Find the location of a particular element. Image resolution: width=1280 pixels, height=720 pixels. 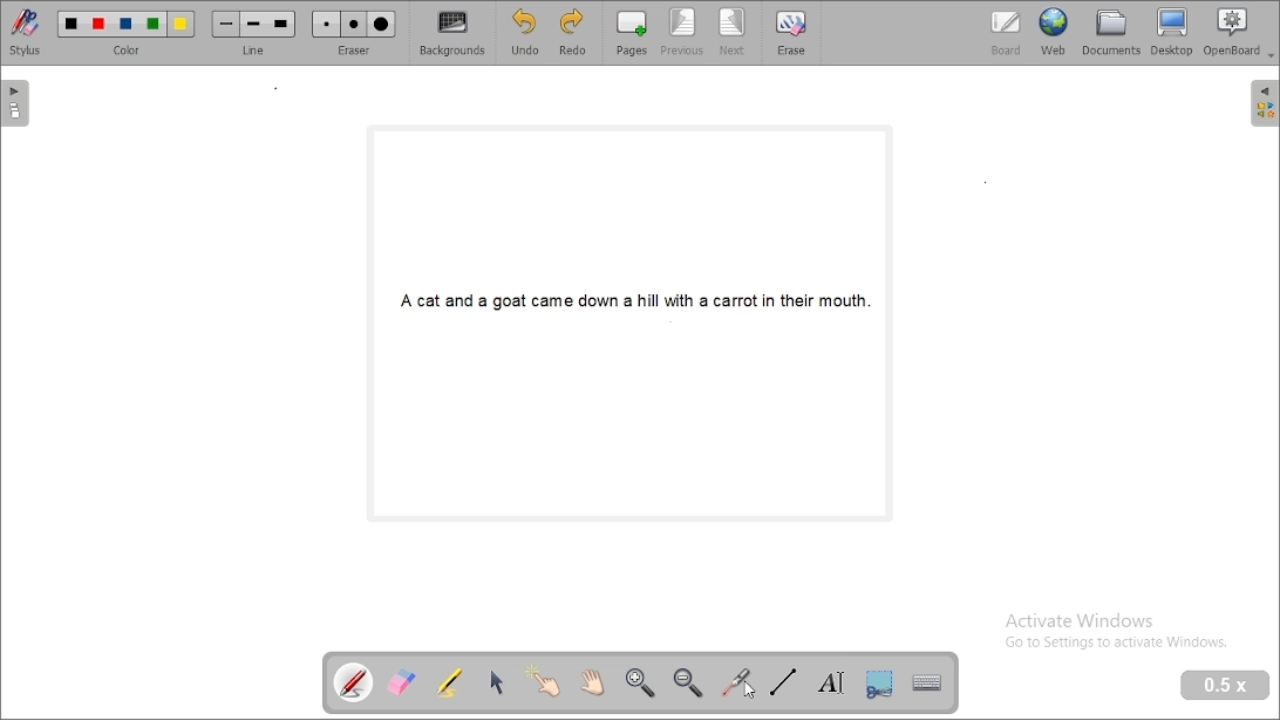

draw lines is located at coordinates (784, 681).